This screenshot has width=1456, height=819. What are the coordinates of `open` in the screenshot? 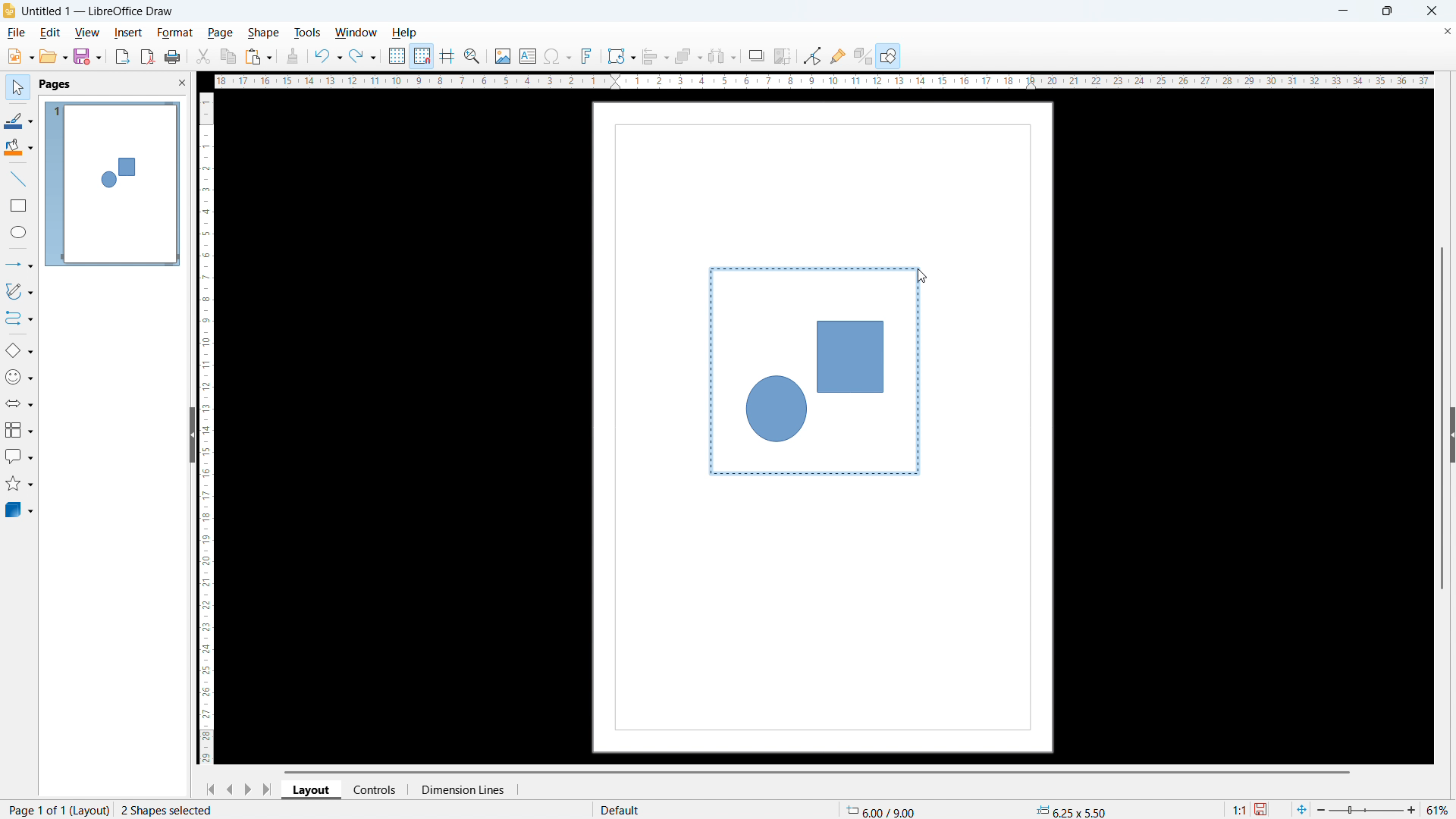 It's located at (53, 57).